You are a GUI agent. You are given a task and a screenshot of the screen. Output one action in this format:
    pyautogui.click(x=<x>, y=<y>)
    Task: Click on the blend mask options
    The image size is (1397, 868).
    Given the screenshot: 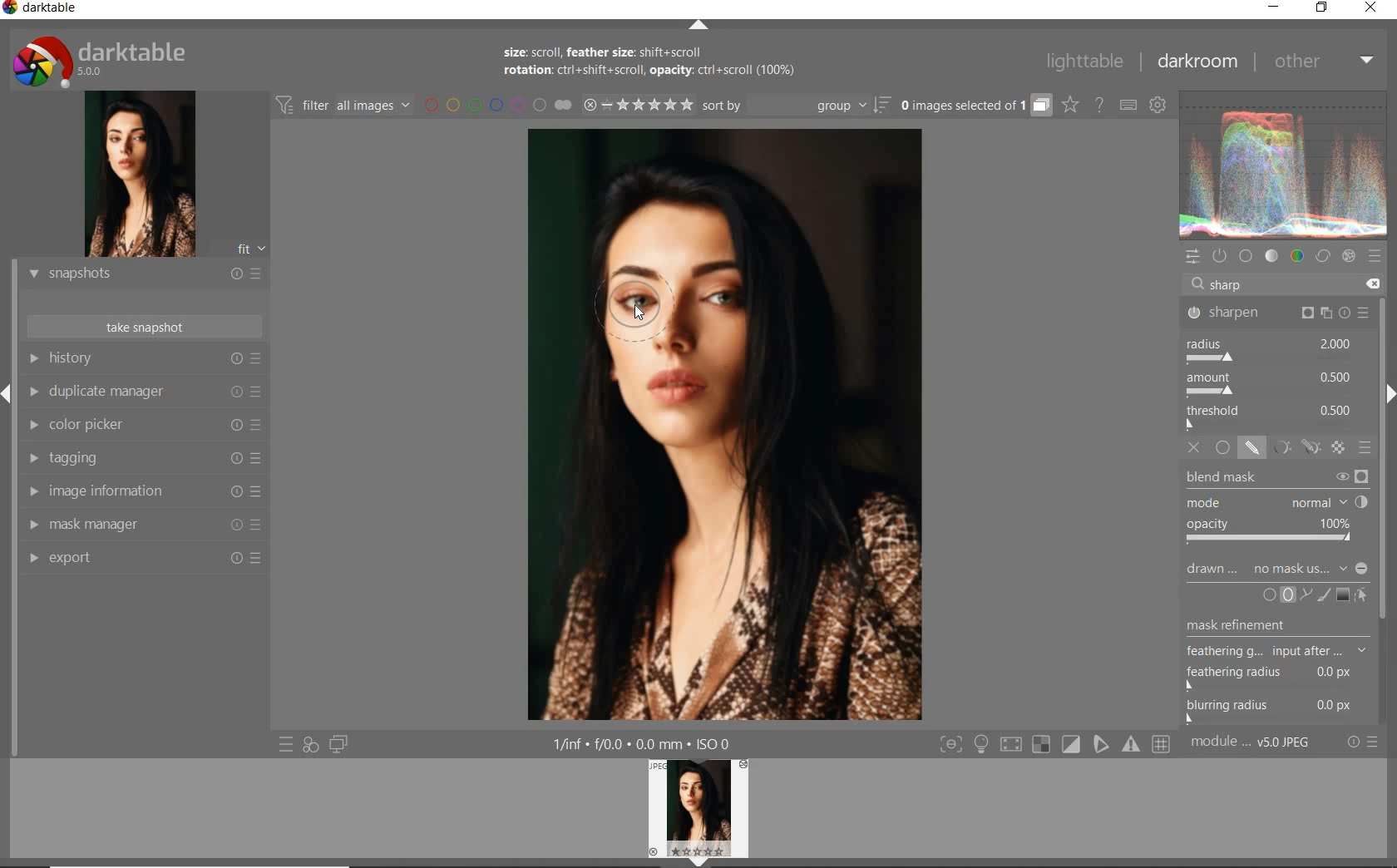 What is the action you would take?
    pyautogui.click(x=1276, y=509)
    